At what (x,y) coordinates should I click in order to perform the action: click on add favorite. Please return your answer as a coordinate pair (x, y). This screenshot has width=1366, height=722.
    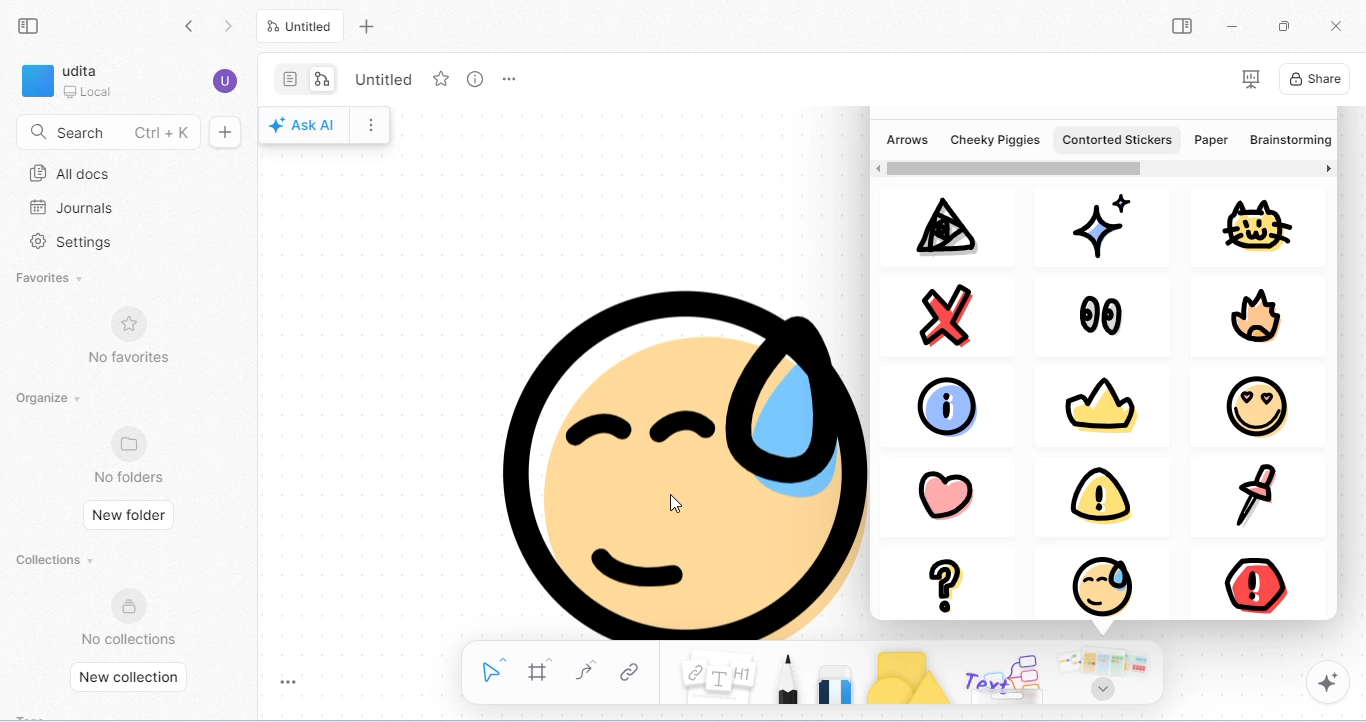
    Looking at the image, I should click on (442, 78).